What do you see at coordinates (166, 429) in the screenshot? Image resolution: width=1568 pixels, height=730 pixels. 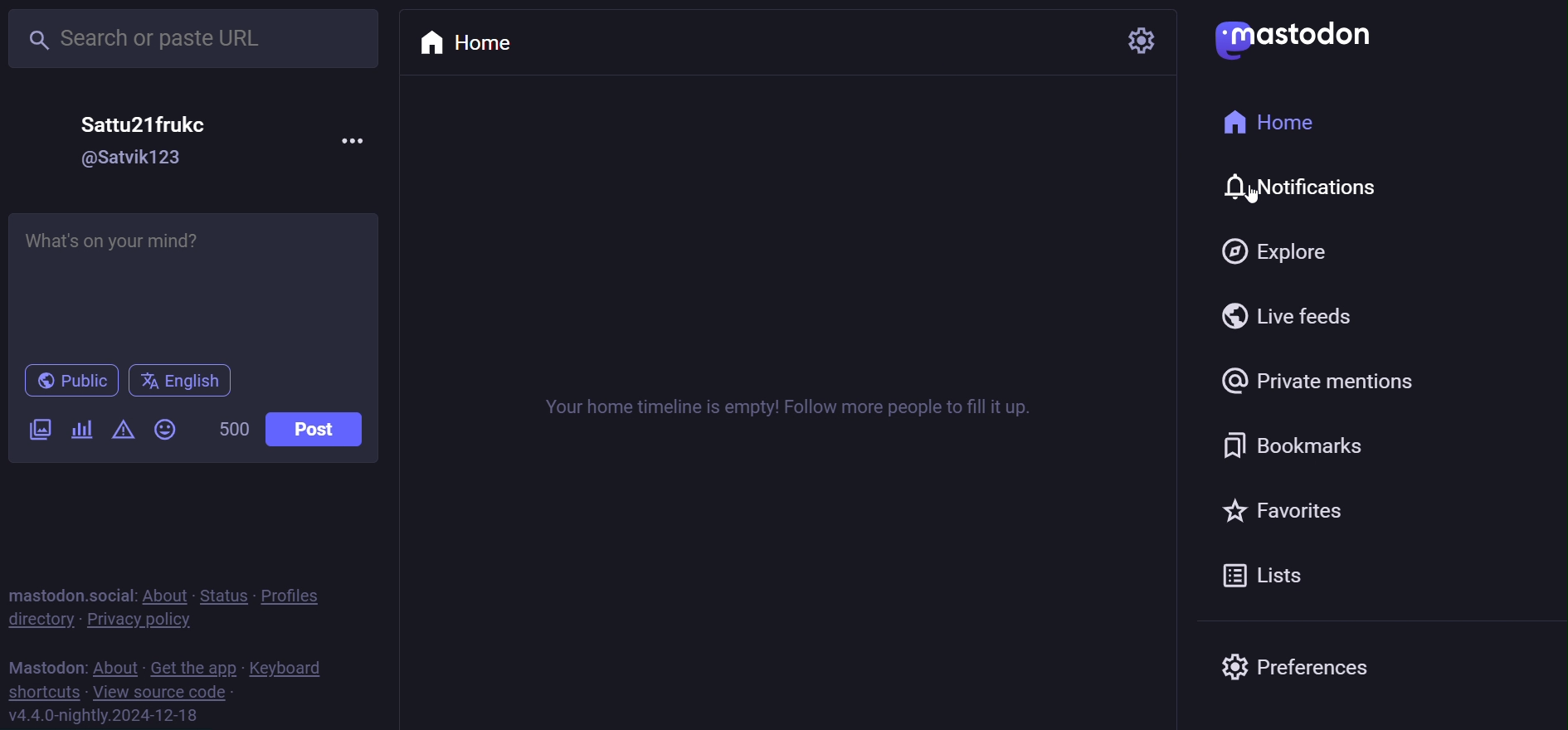 I see `emoji` at bounding box center [166, 429].